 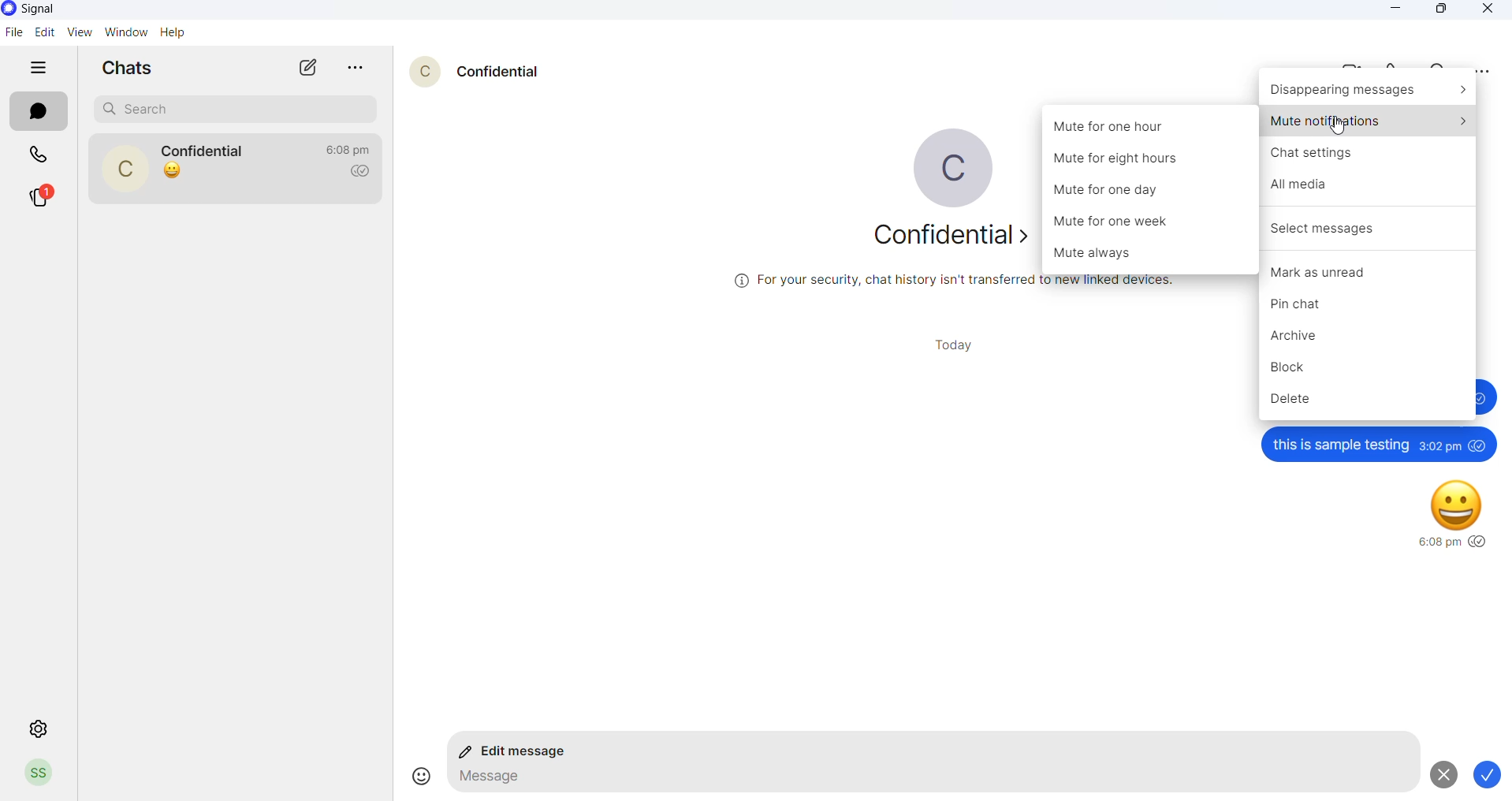 I want to click on pin chat, so click(x=1369, y=303).